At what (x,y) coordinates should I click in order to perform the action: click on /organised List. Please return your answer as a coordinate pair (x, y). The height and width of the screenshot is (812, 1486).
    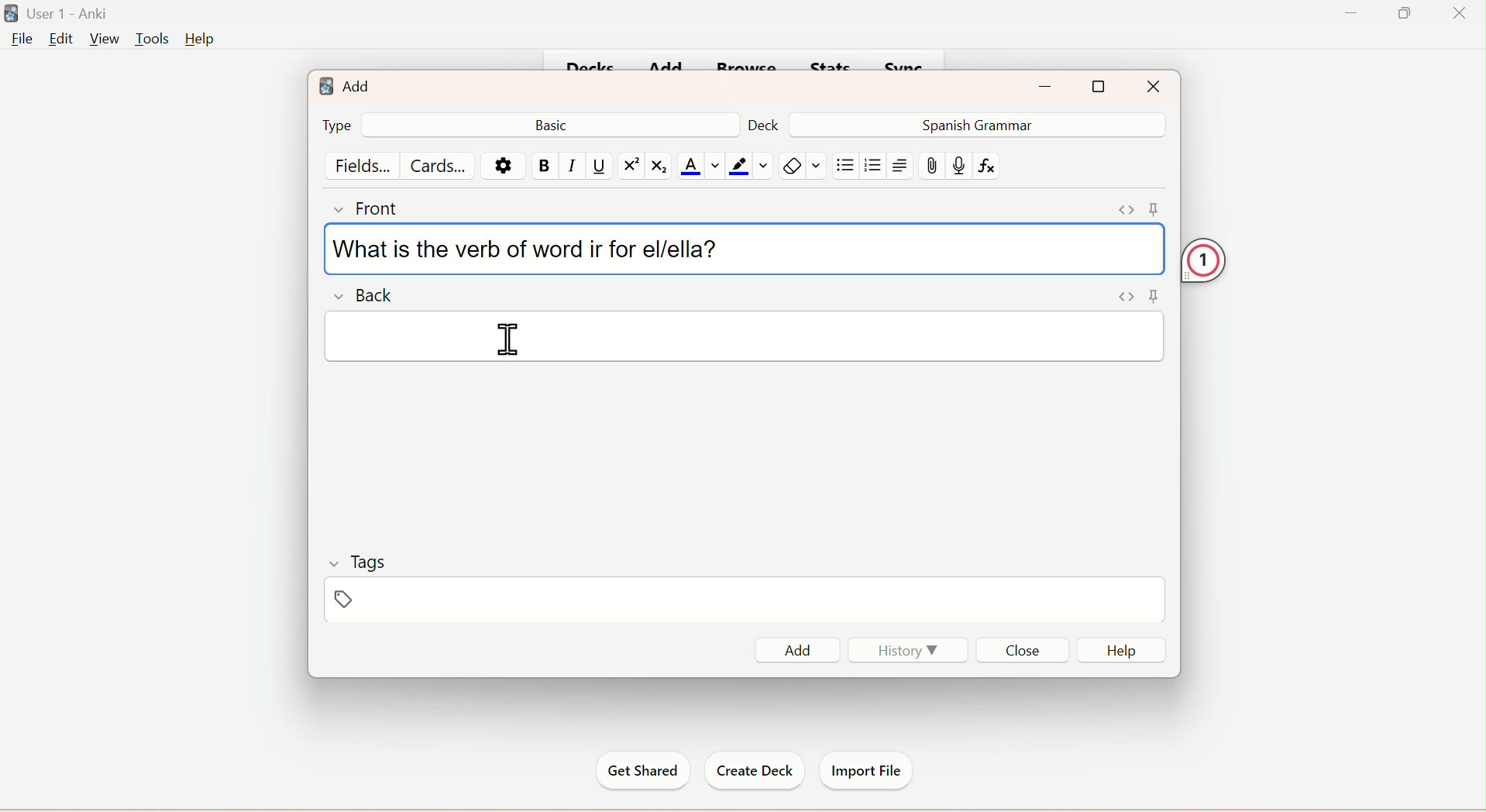
    Looking at the image, I should click on (870, 167).